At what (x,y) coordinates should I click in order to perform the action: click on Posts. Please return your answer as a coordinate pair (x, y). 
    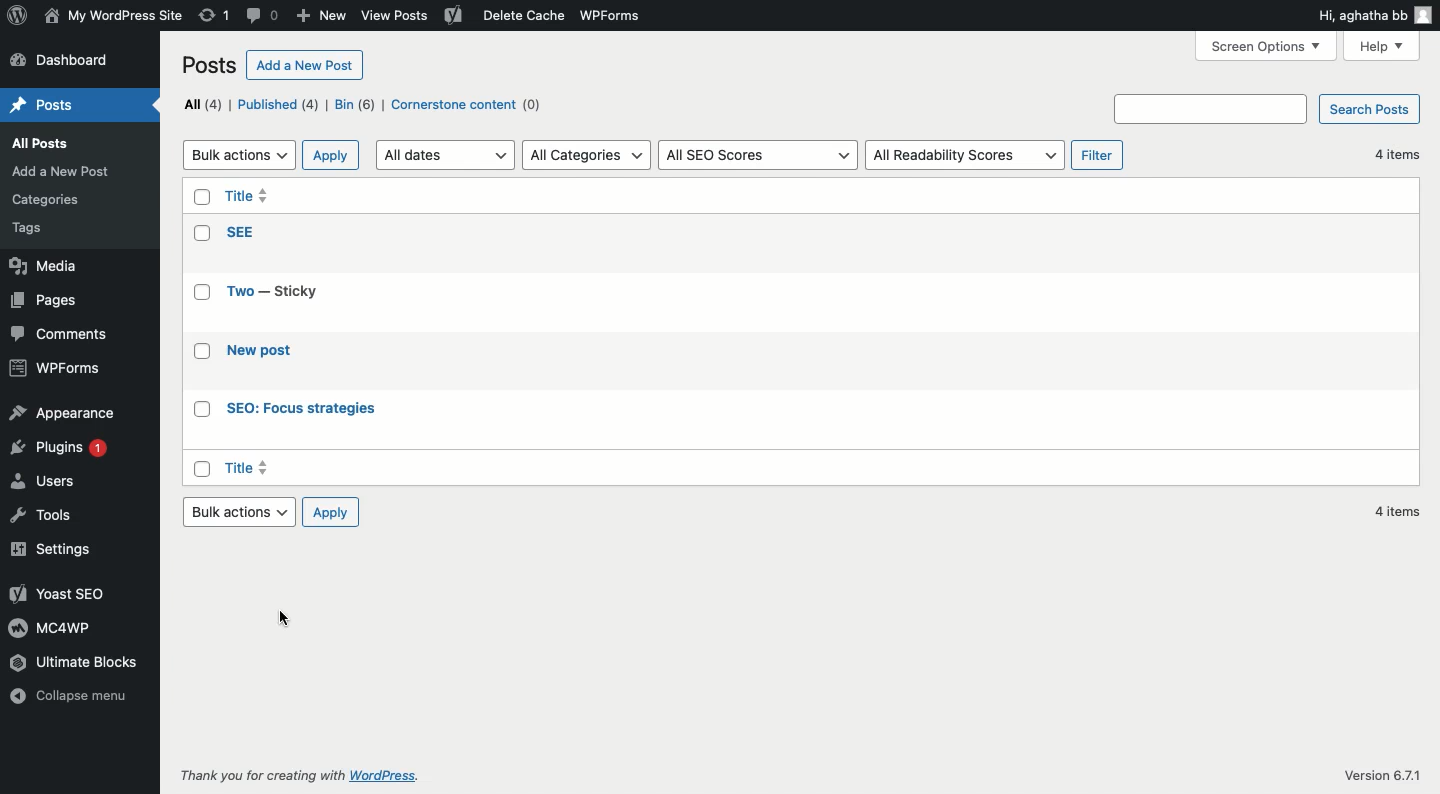
    Looking at the image, I should click on (211, 64).